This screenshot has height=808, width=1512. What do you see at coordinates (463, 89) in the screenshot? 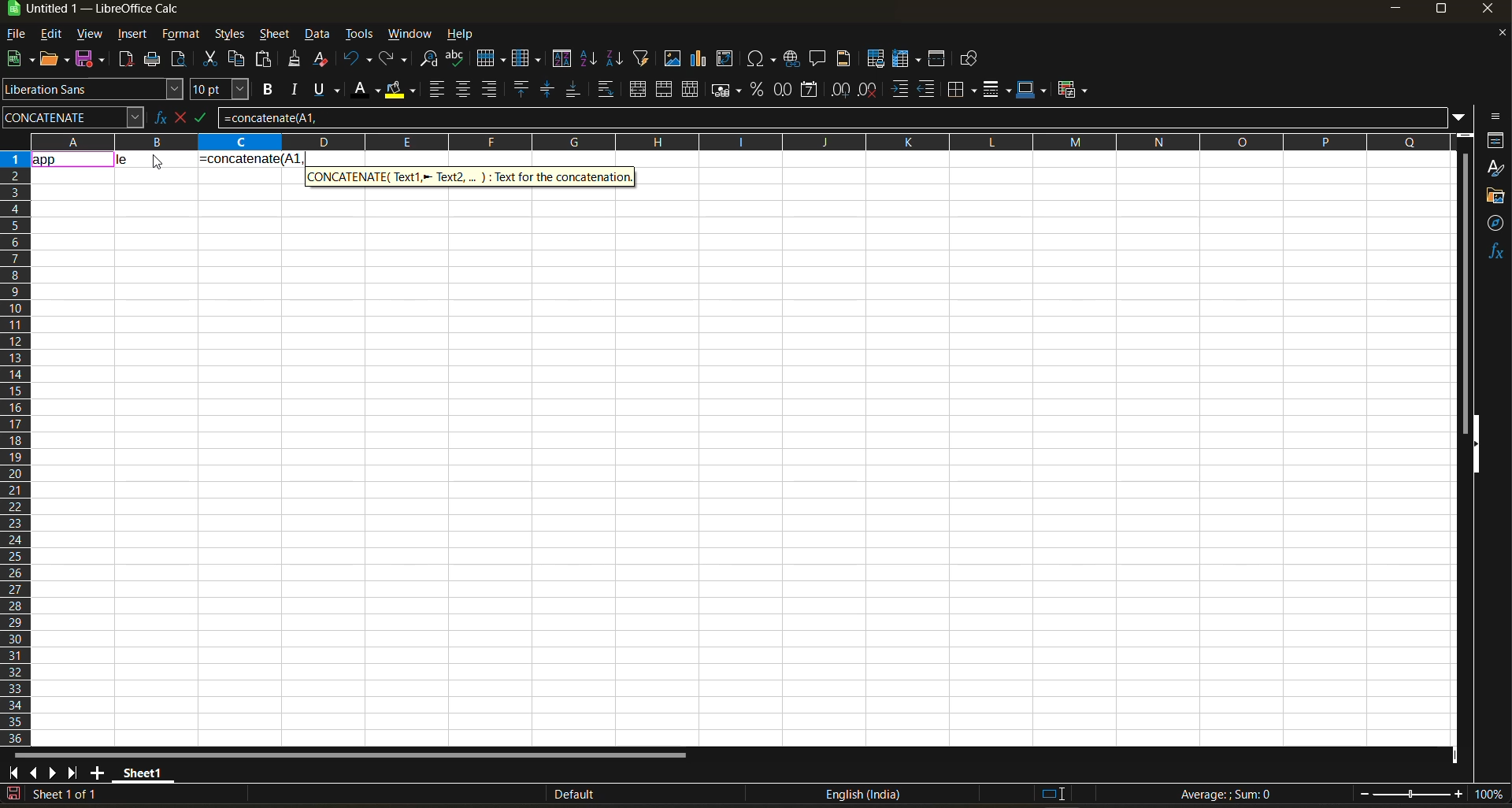
I see `align center` at bounding box center [463, 89].